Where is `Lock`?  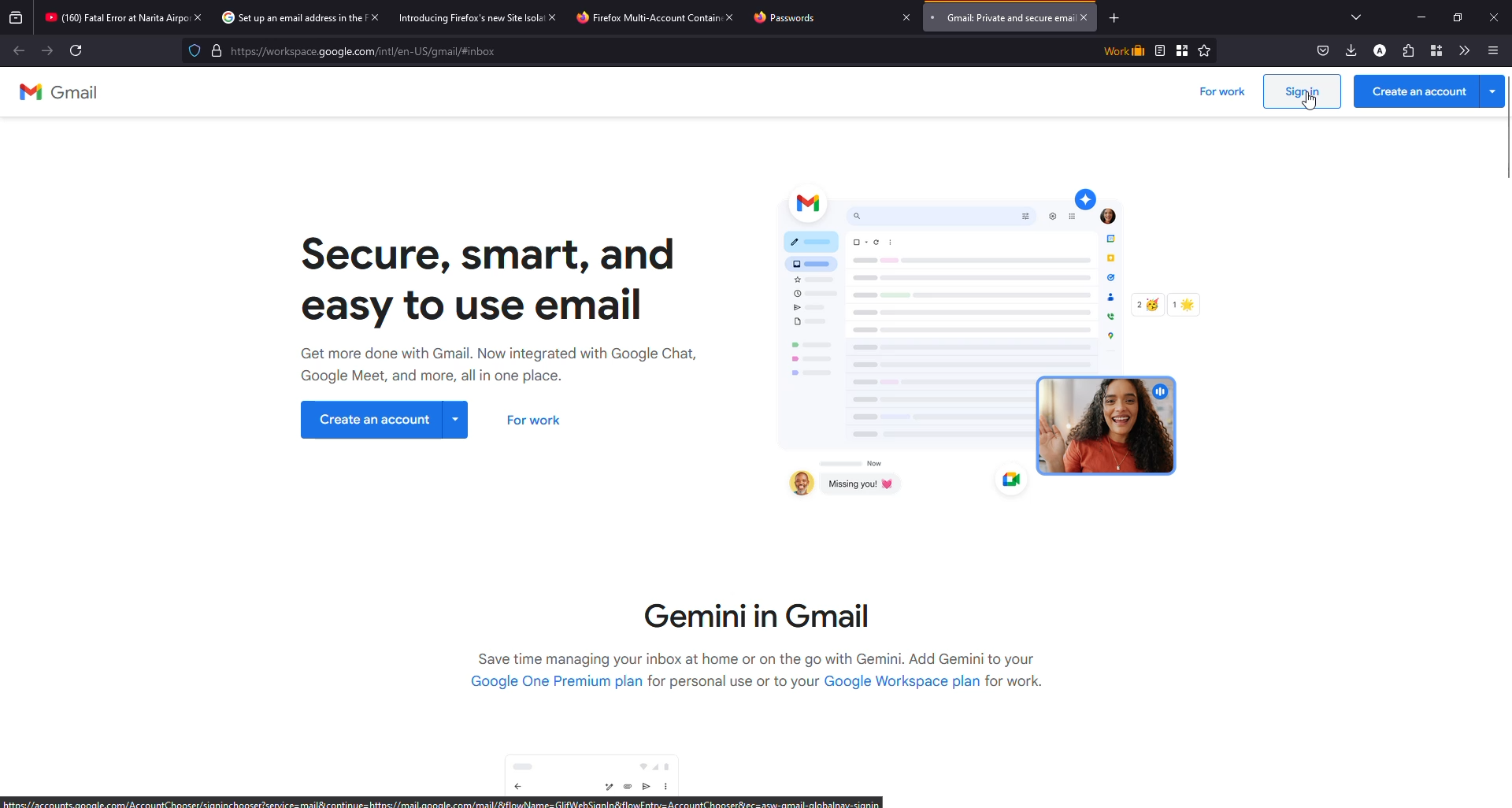 Lock is located at coordinates (214, 52).